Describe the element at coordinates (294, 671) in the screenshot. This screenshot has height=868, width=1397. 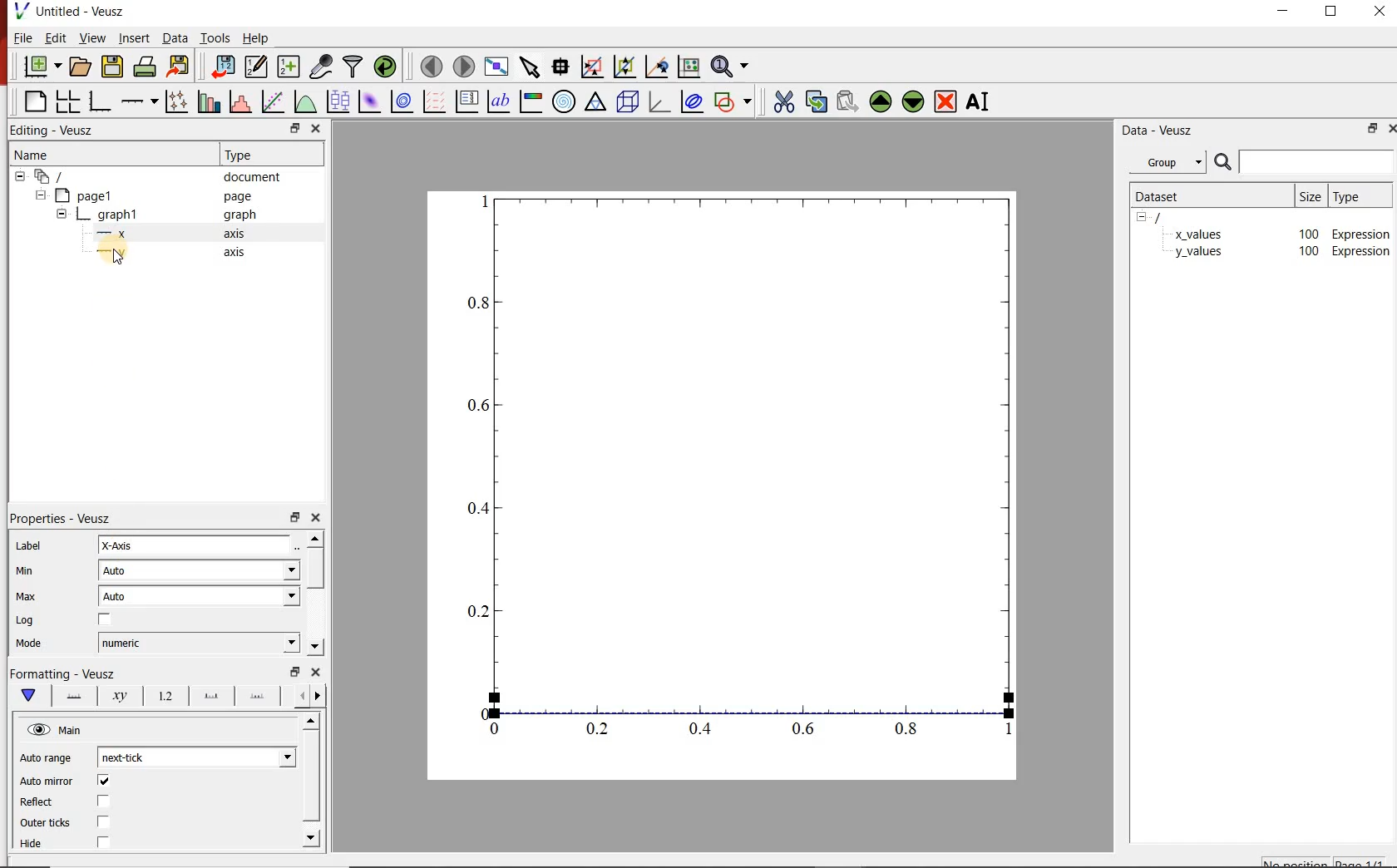
I see `restore down` at that location.